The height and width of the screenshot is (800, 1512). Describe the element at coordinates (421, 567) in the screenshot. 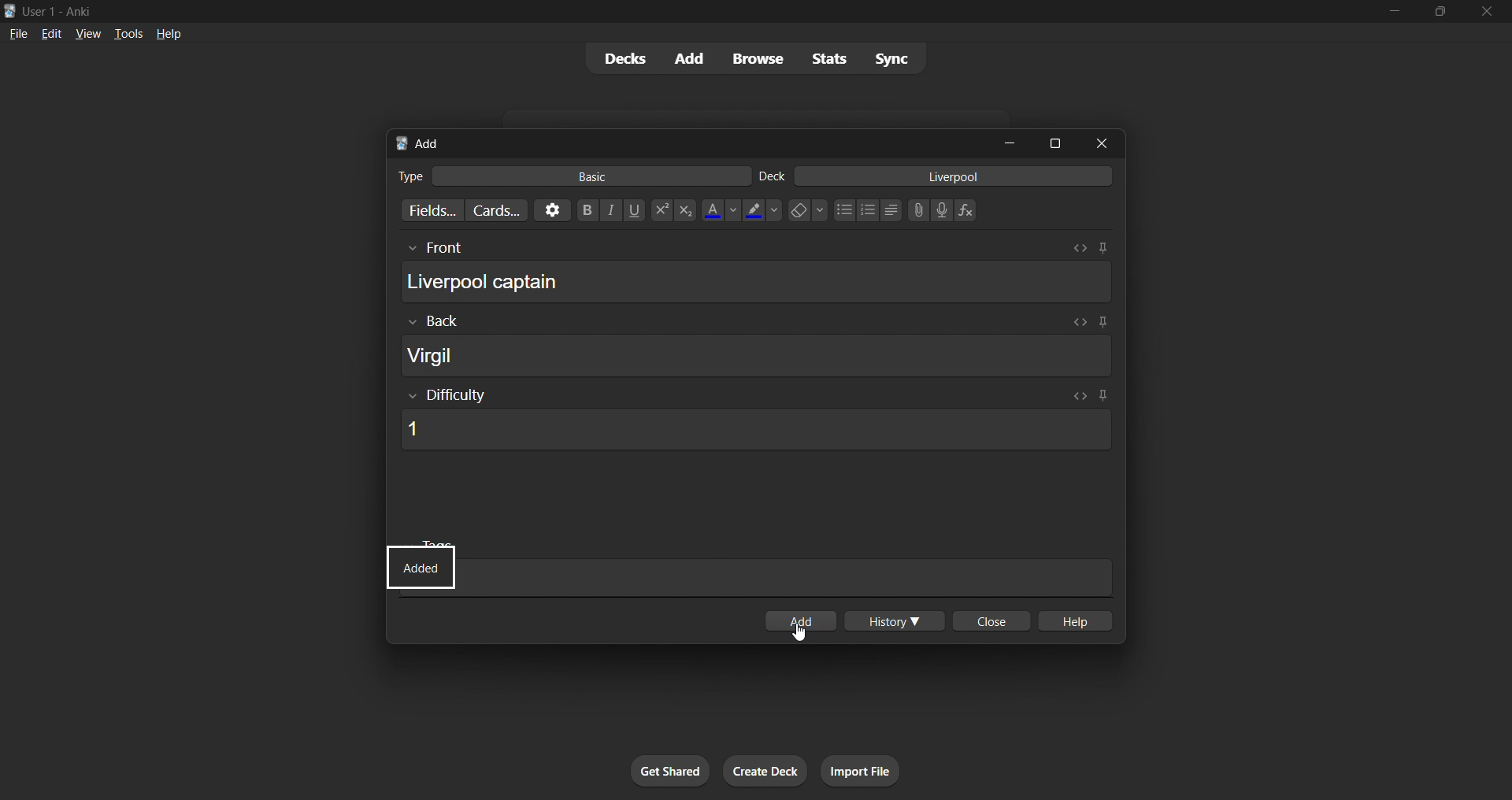

I see `Indicates new data card with difficulty rating added` at that location.